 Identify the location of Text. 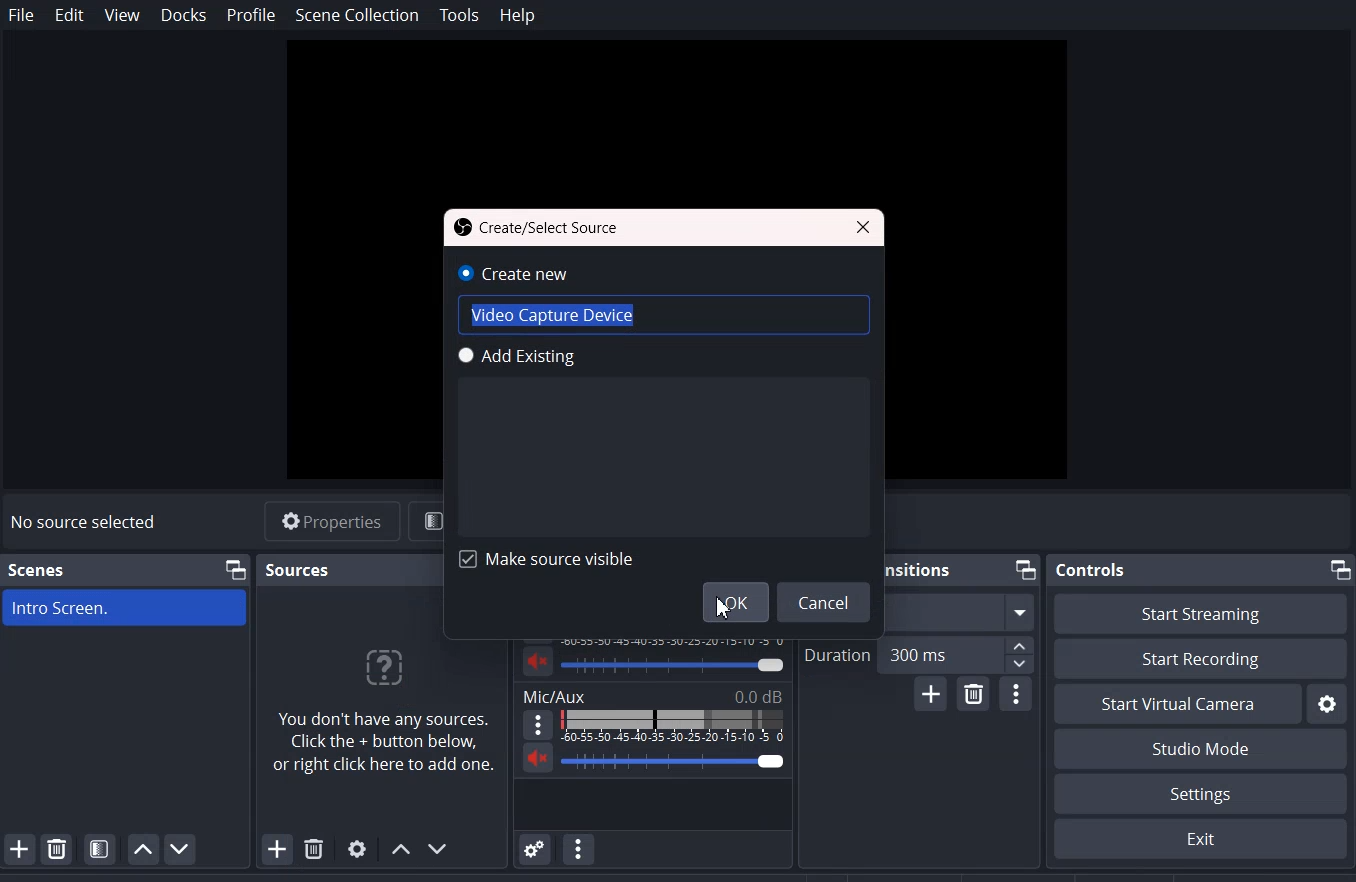
(673, 667).